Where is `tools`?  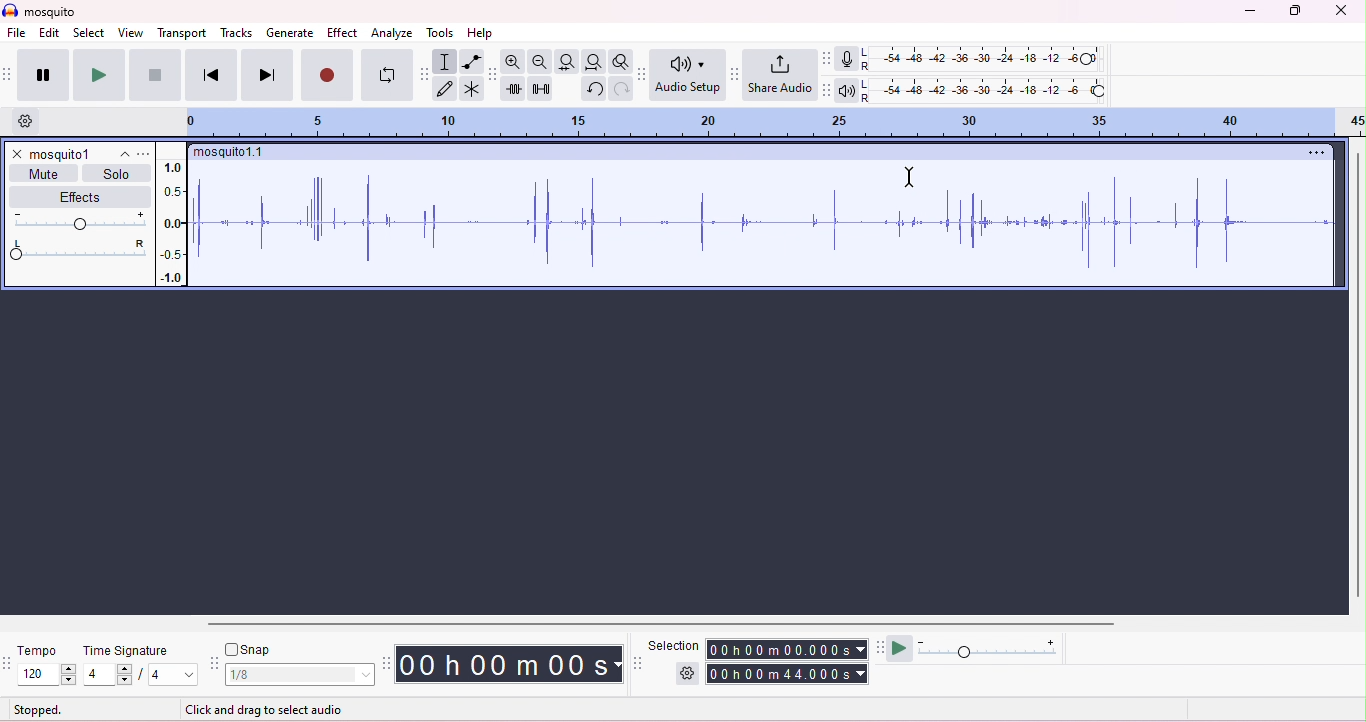
tools is located at coordinates (441, 33).